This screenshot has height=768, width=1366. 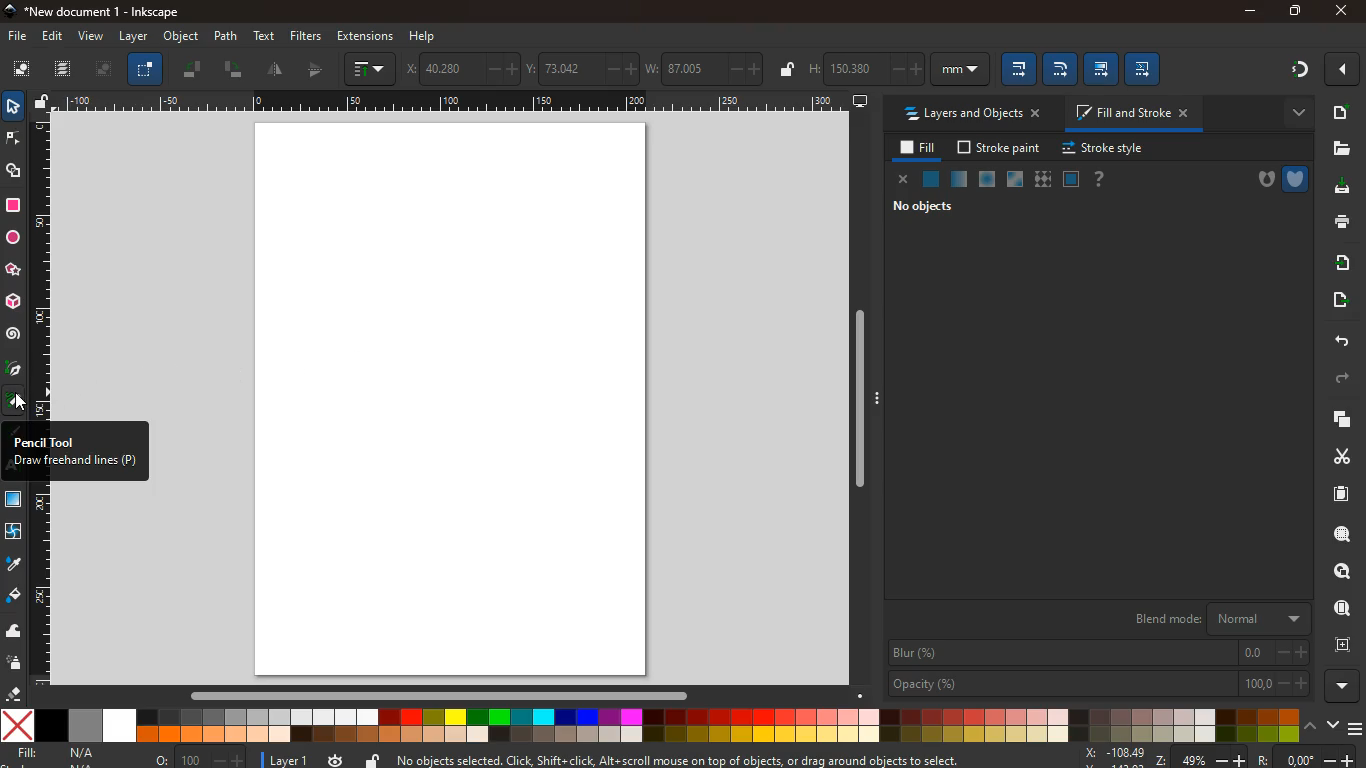 What do you see at coordinates (13, 370) in the screenshot?
I see `pick` at bounding box center [13, 370].